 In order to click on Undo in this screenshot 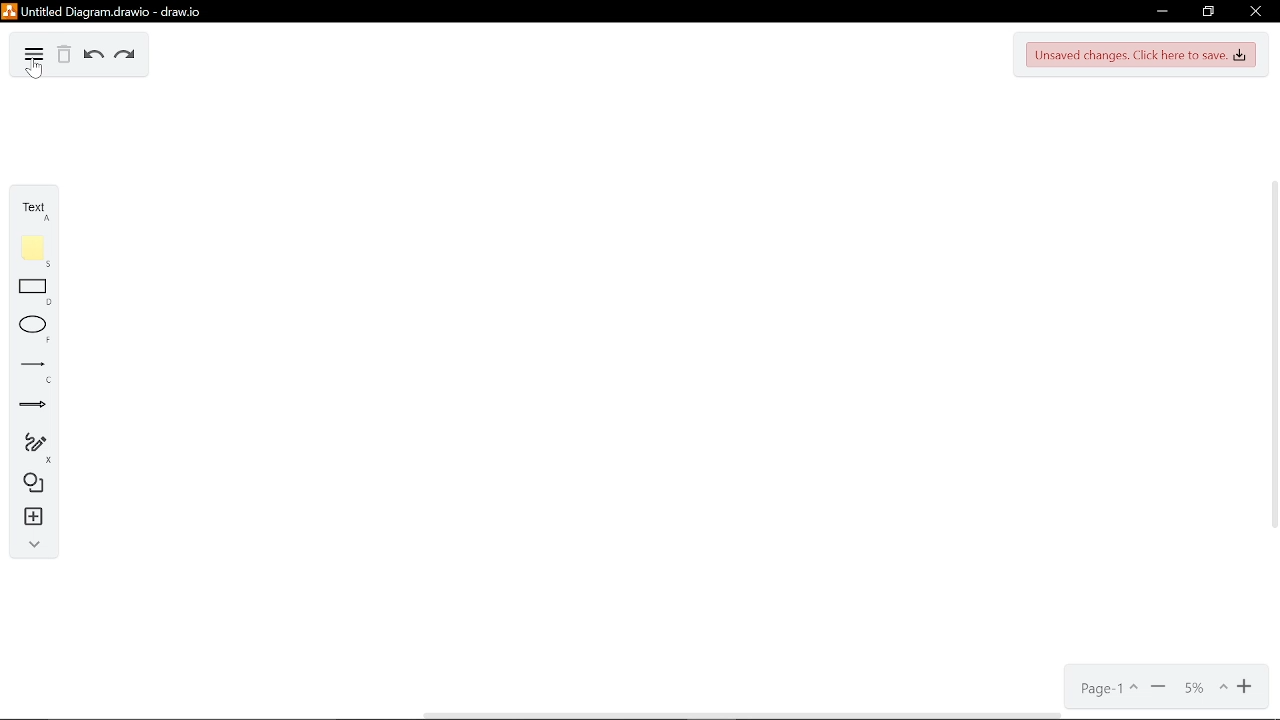, I will do `click(92, 56)`.